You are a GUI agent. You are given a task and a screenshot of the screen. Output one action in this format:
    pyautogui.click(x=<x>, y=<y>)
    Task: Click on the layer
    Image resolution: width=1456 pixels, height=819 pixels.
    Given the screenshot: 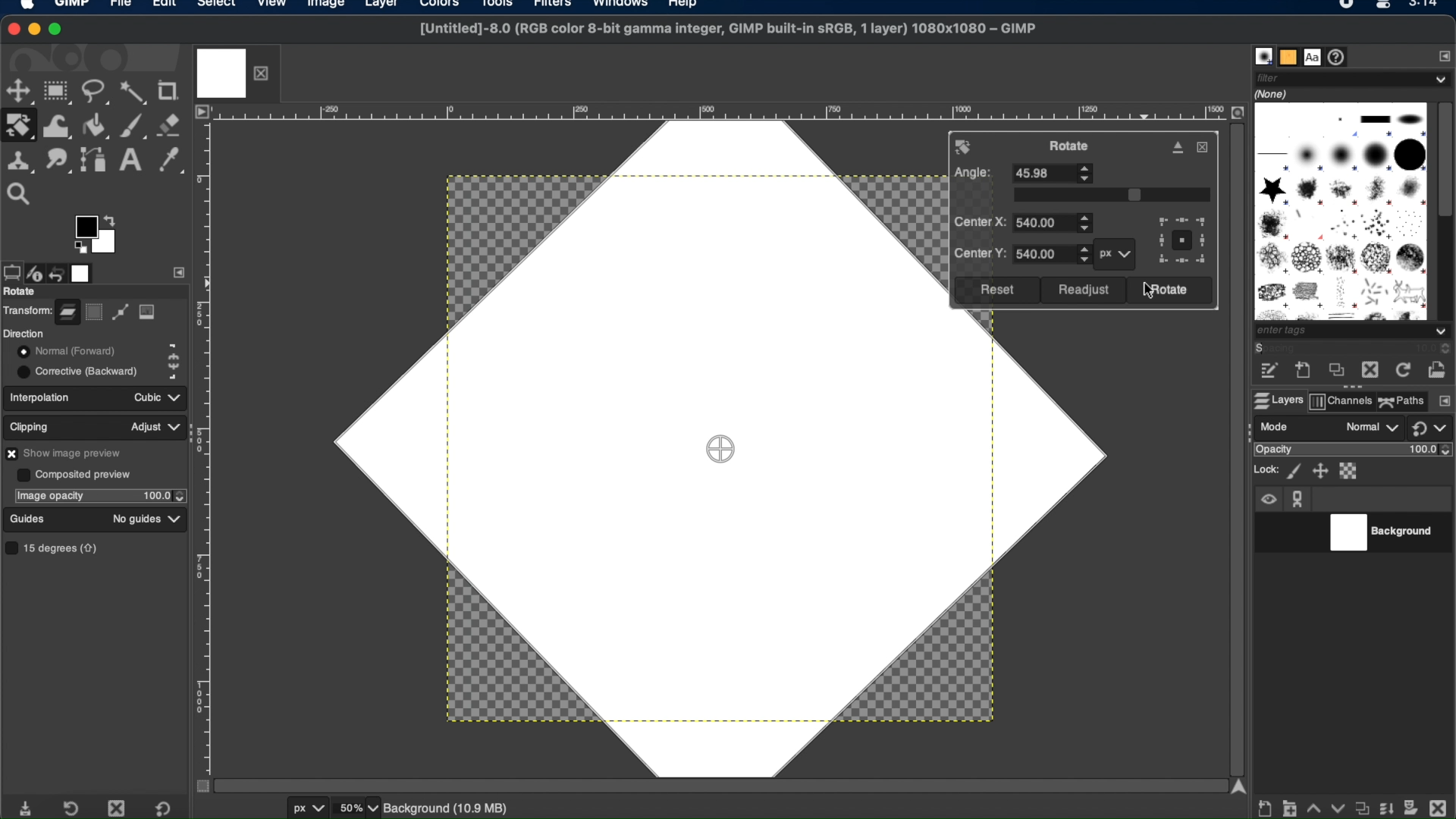 What is the action you would take?
    pyautogui.click(x=67, y=309)
    